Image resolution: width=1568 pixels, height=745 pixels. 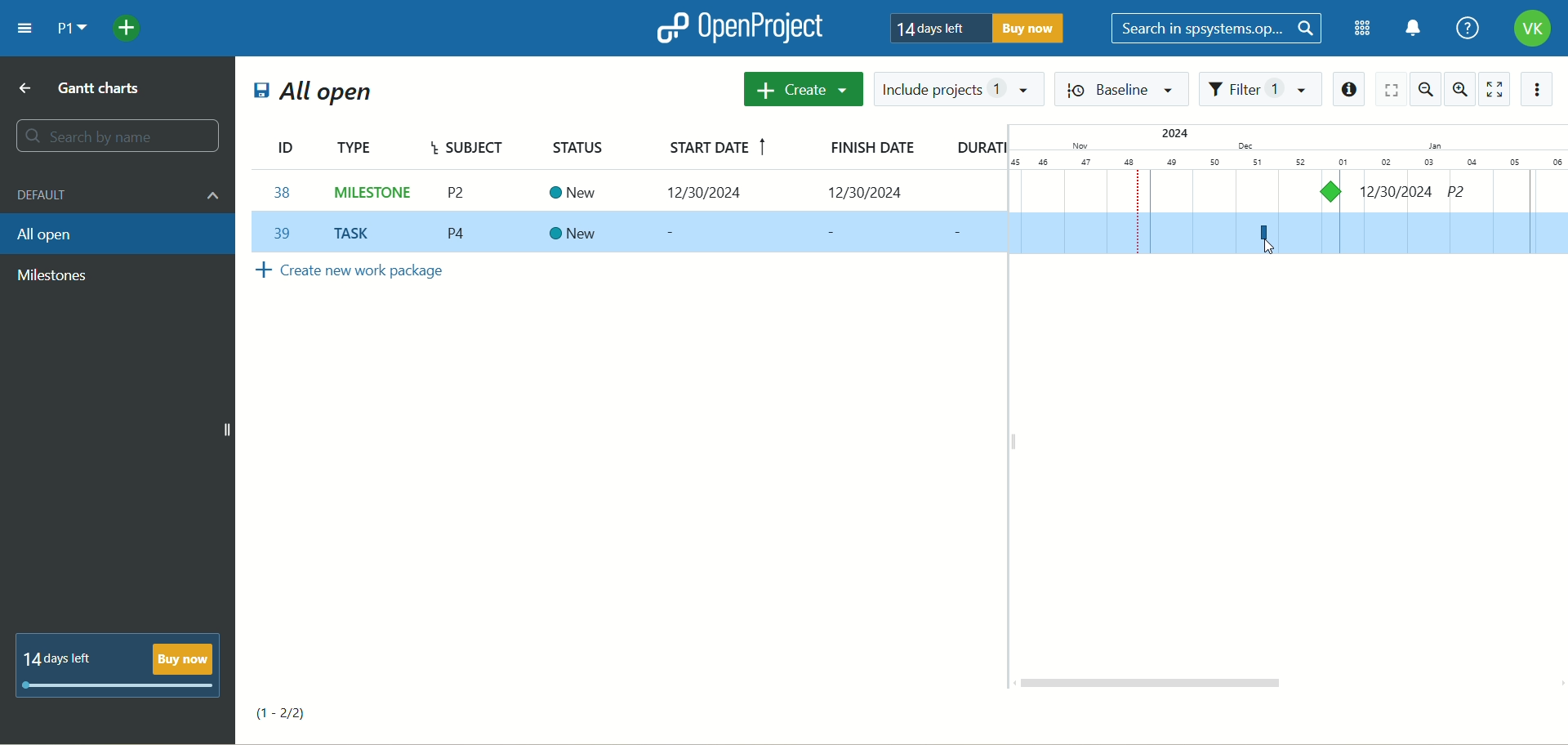 What do you see at coordinates (1466, 28) in the screenshot?
I see `help` at bounding box center [1466, 28].